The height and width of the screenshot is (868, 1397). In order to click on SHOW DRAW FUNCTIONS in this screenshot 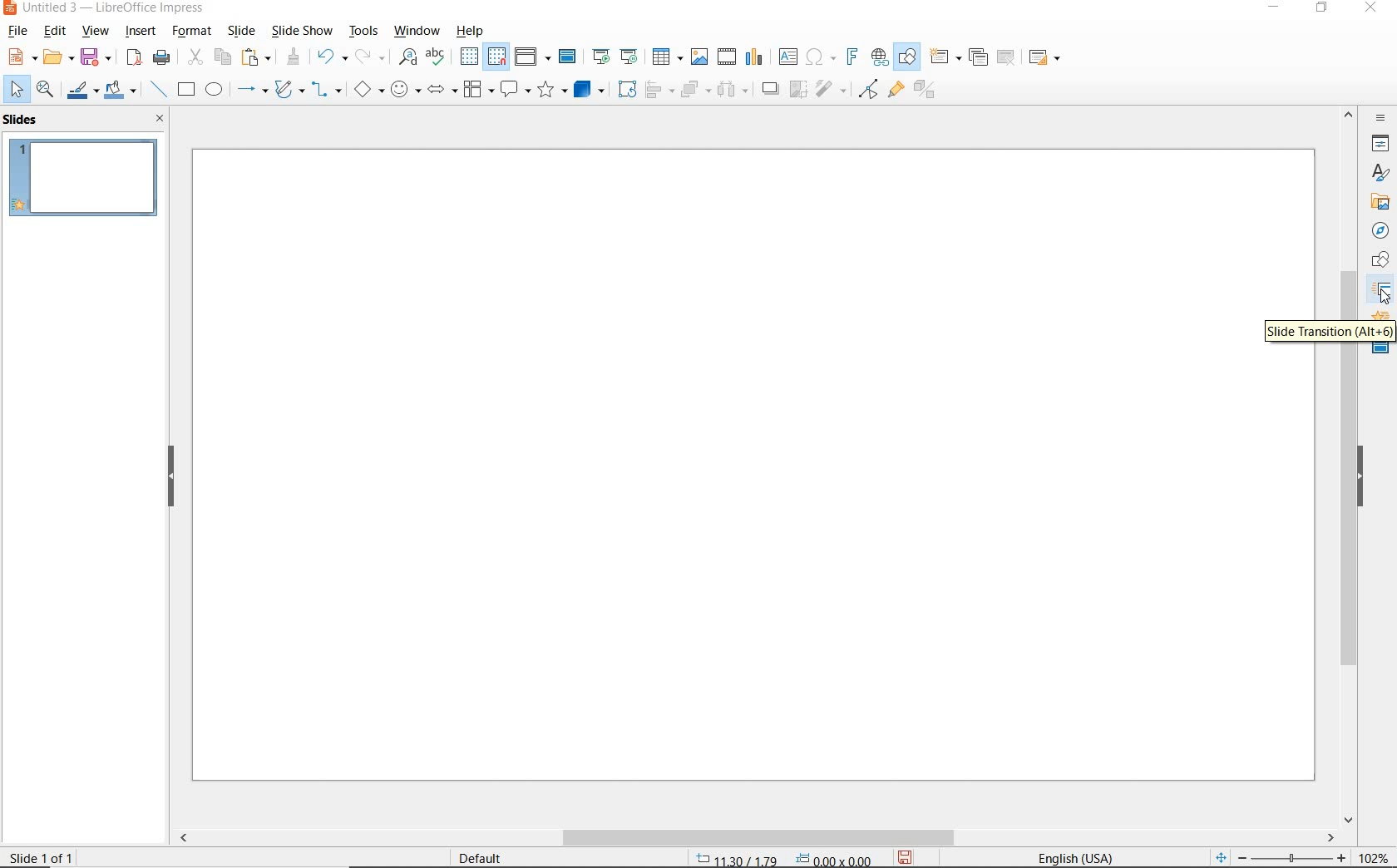, I will do `click(910, 57)`.